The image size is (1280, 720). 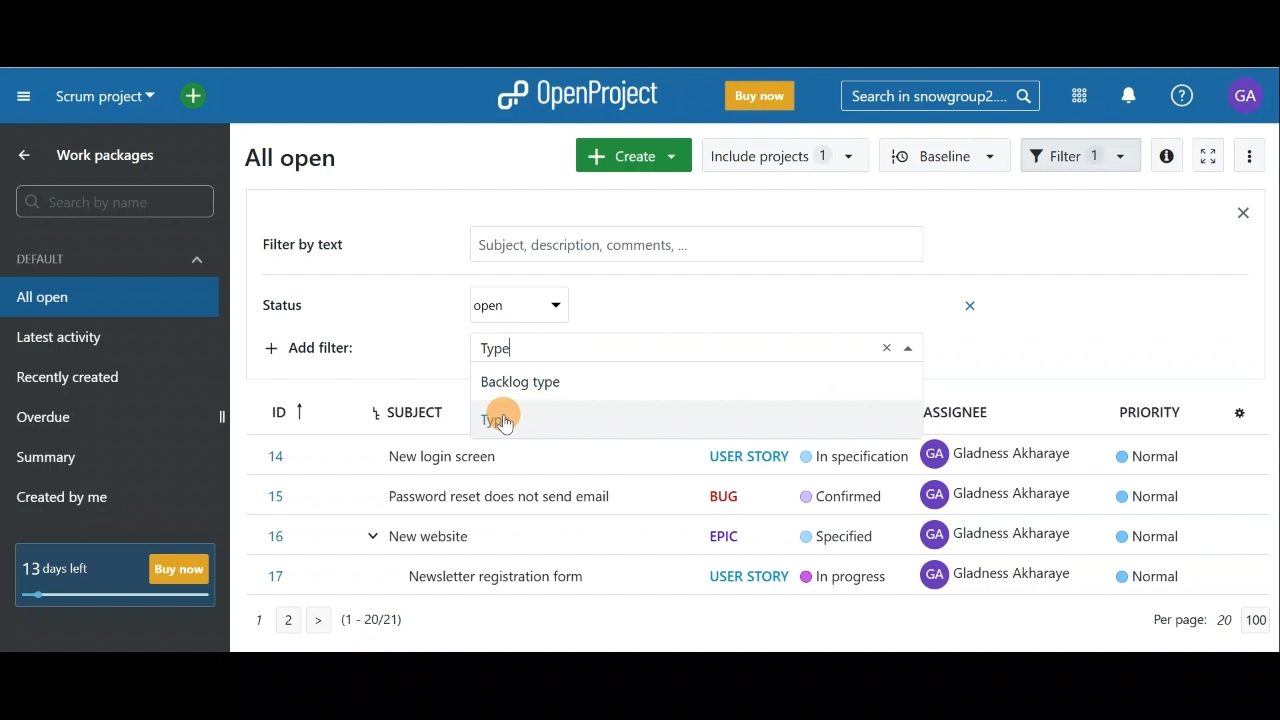 What do you see at coordinates (764, 99) in the screenshot?
I see `Buy now` at bounding box center [764, 99].